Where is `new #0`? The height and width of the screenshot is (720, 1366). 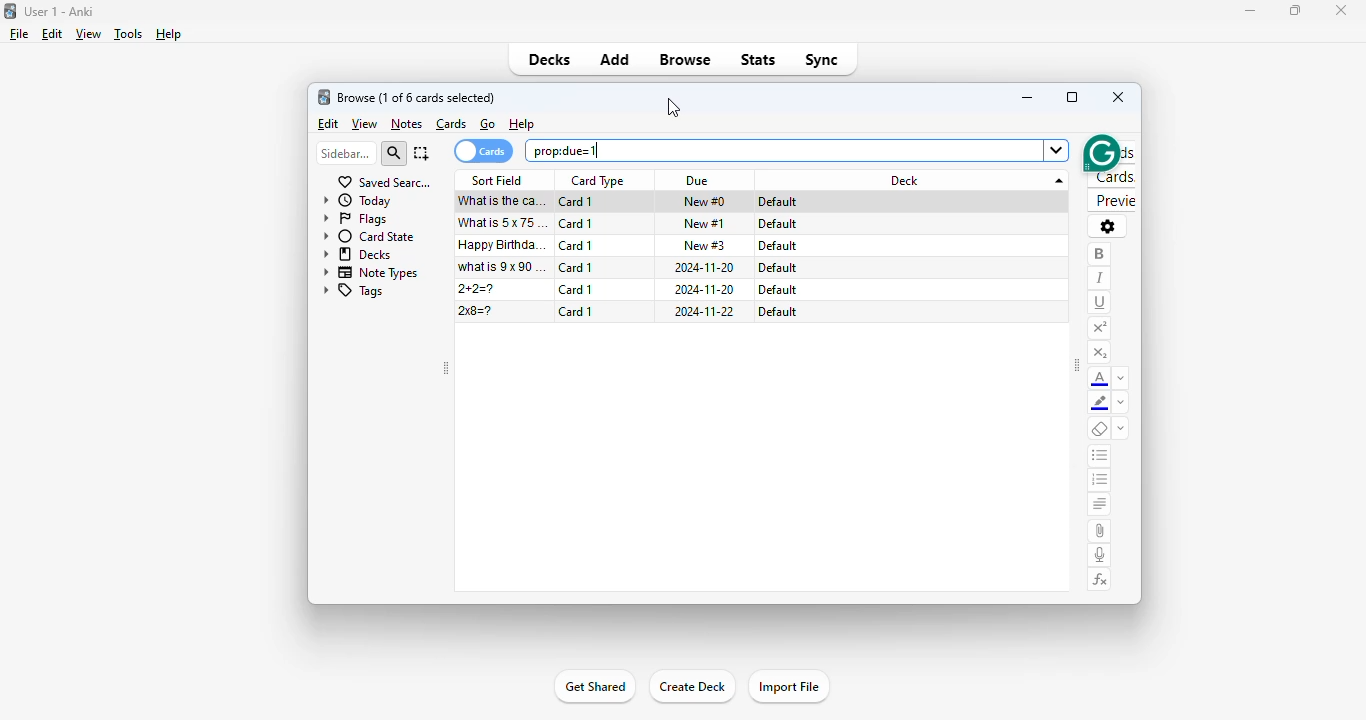
new #0 is located at coordinates (705, 201).